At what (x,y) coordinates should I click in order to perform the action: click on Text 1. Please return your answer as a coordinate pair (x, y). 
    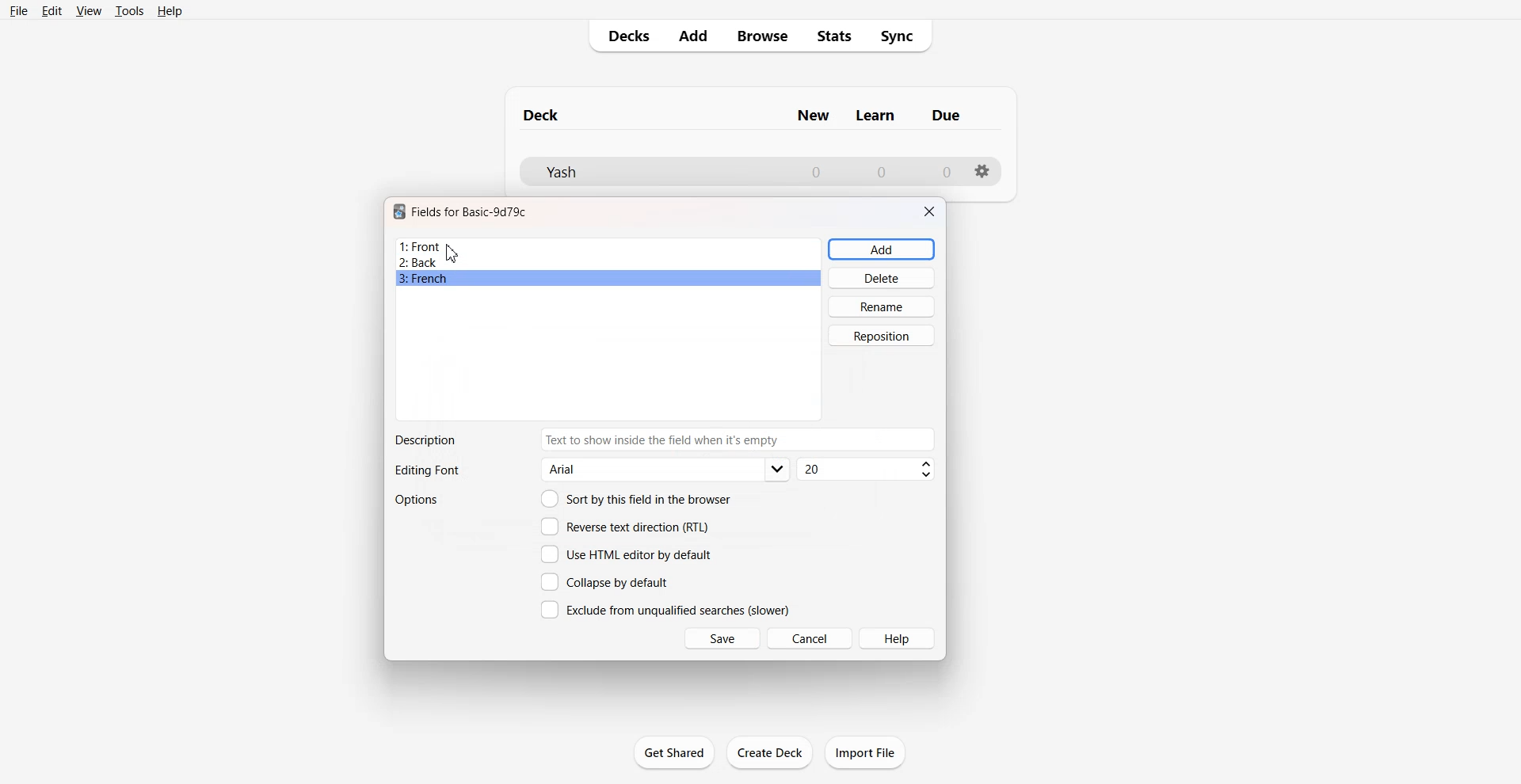
    Looking at the image, I should click on (542, 115).